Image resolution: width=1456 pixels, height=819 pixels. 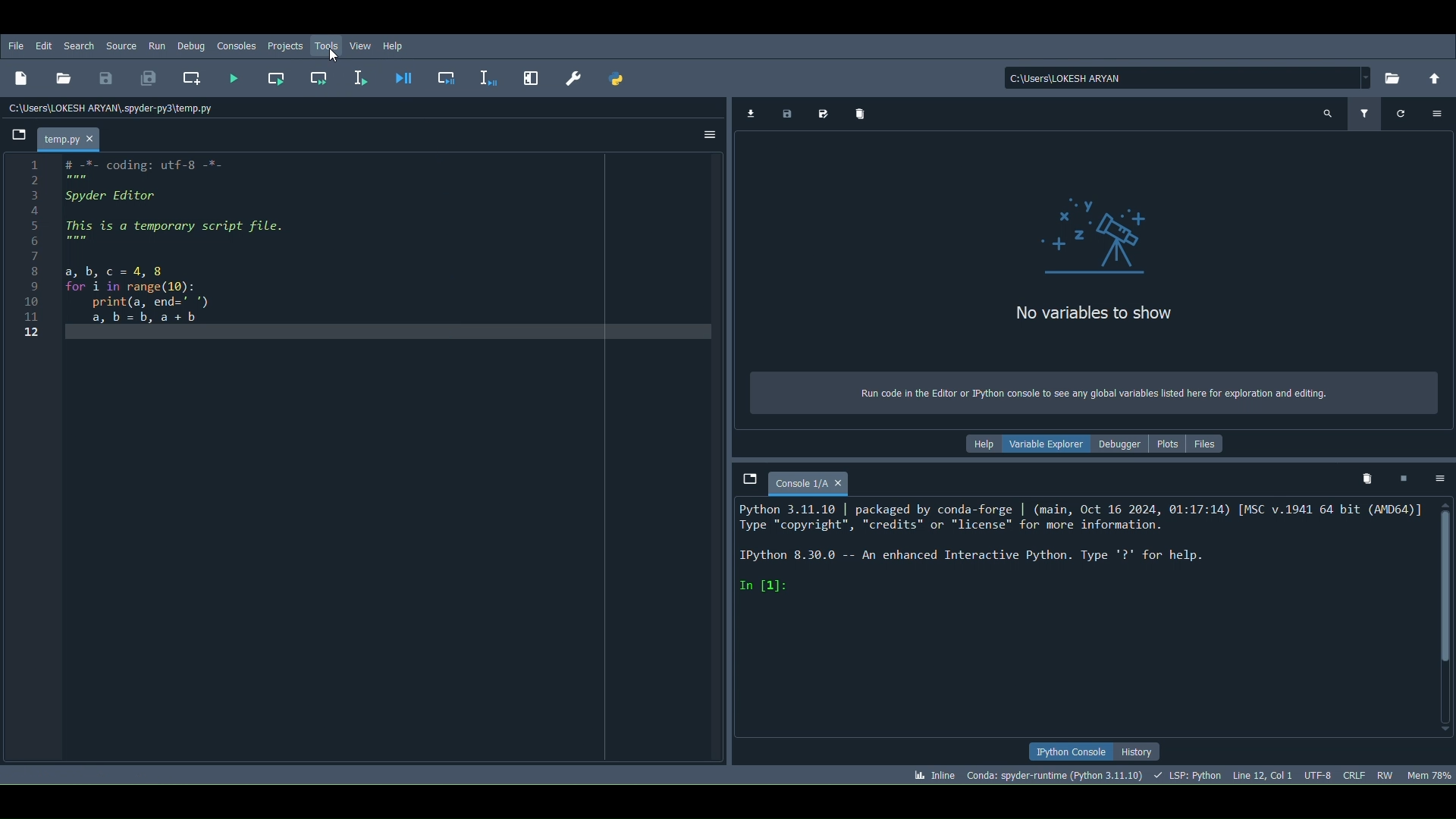 What do you see at coordinates (106, 78) in the screenshot?
I see `Save file (Ctrl + S)` at bounding box center [106, 78].